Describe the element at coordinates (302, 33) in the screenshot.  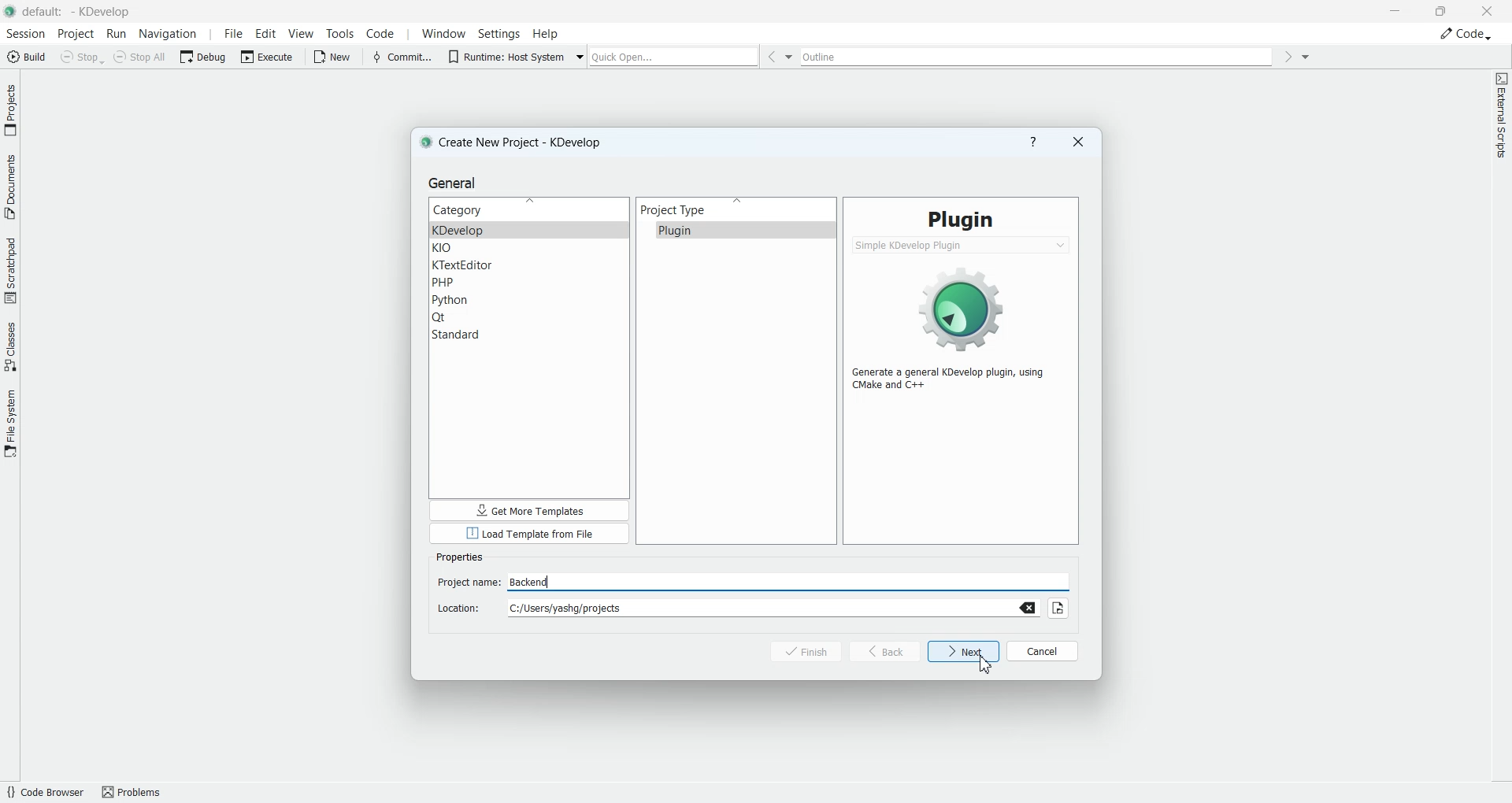
I see `View` at that location.